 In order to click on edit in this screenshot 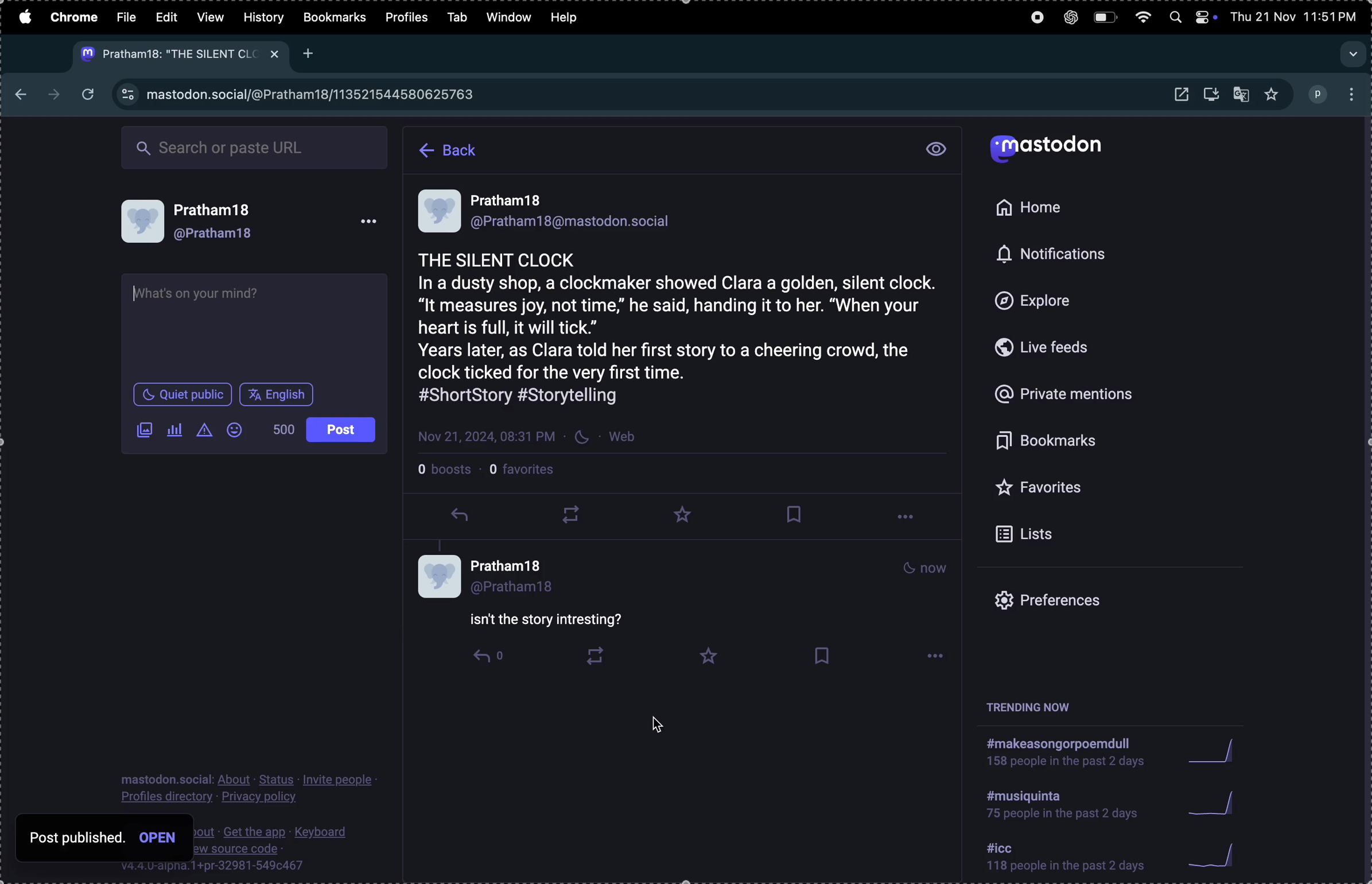, I will do `click(165, 17)`.